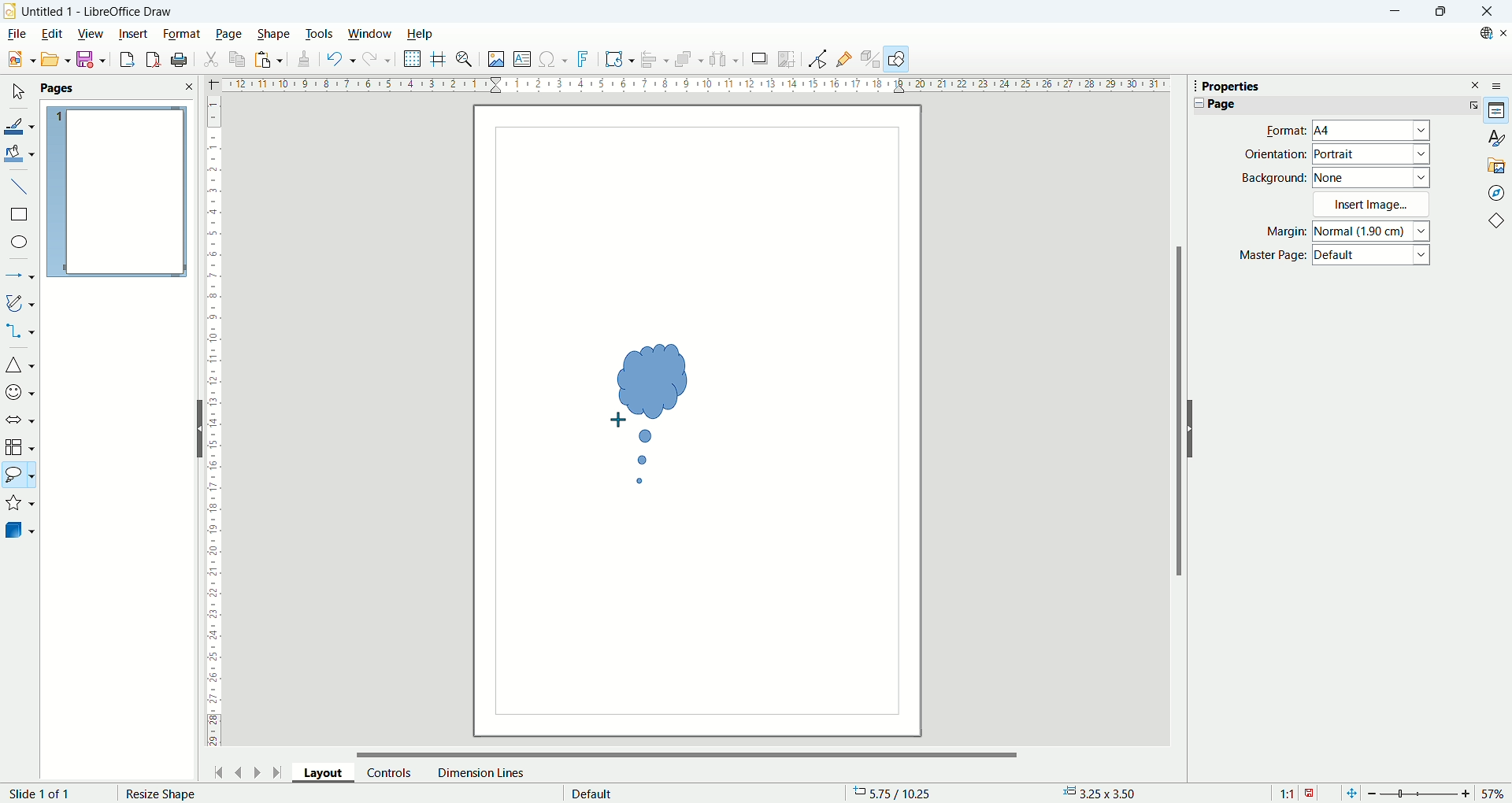 Image resolution: width=1512 pixels, height=803 pixels. I want to click on copy, so click(238, 59).